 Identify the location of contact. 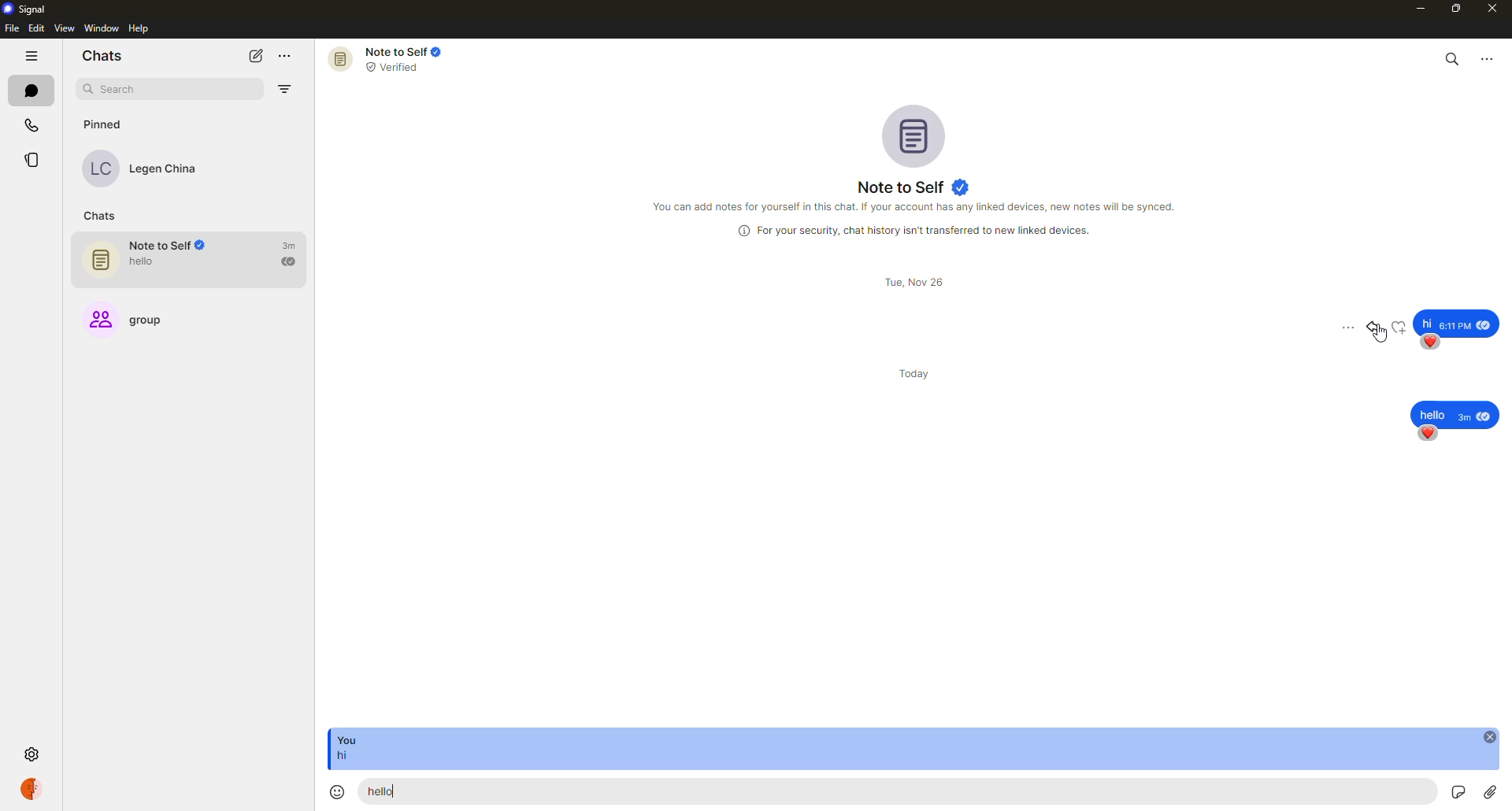
(151, 168).